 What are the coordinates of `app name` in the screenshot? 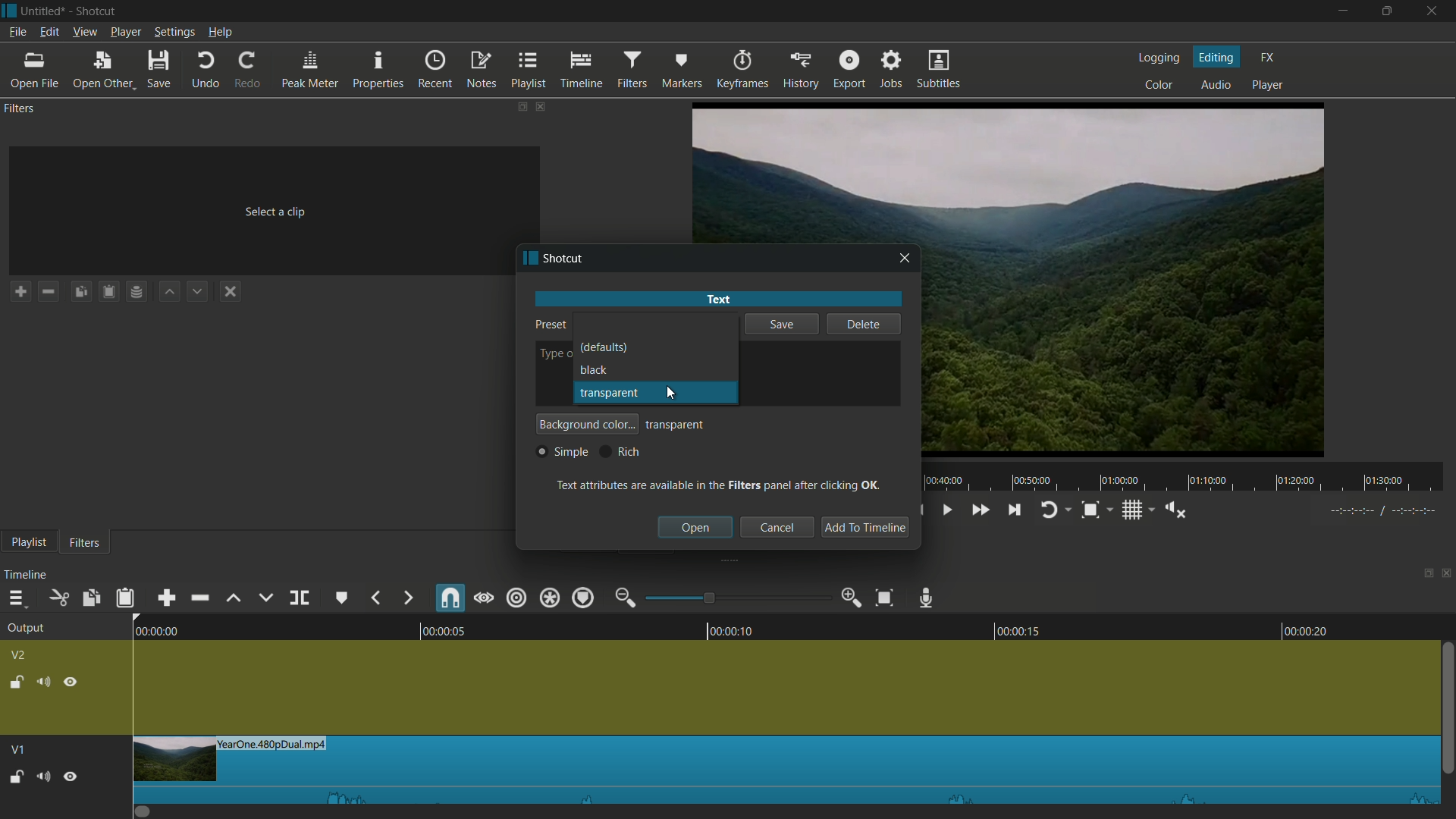 It's located at (98, 11).